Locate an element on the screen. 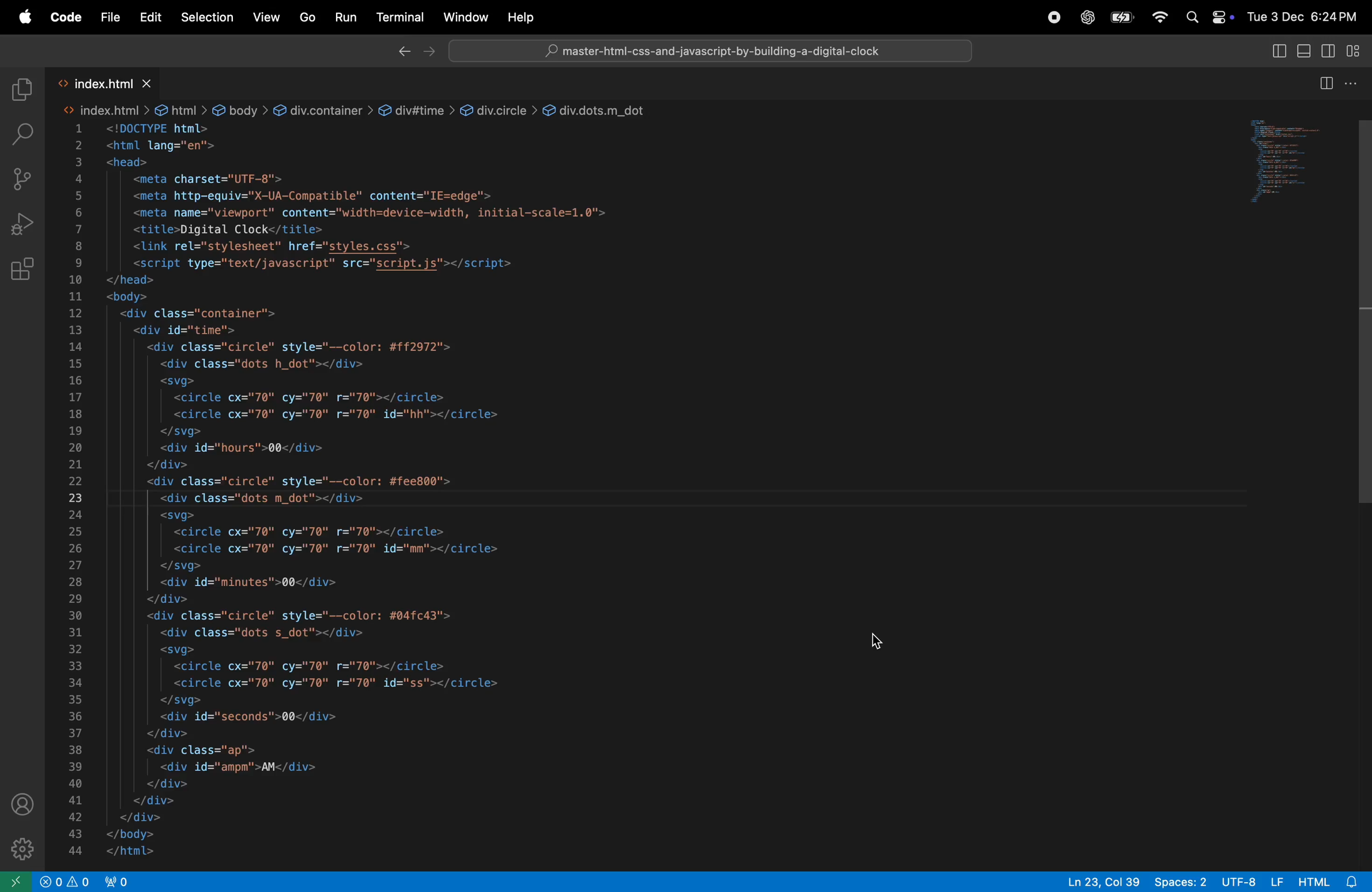 This screenshot has width=1372, height=892. run debug is located at coordinates (19, 225).